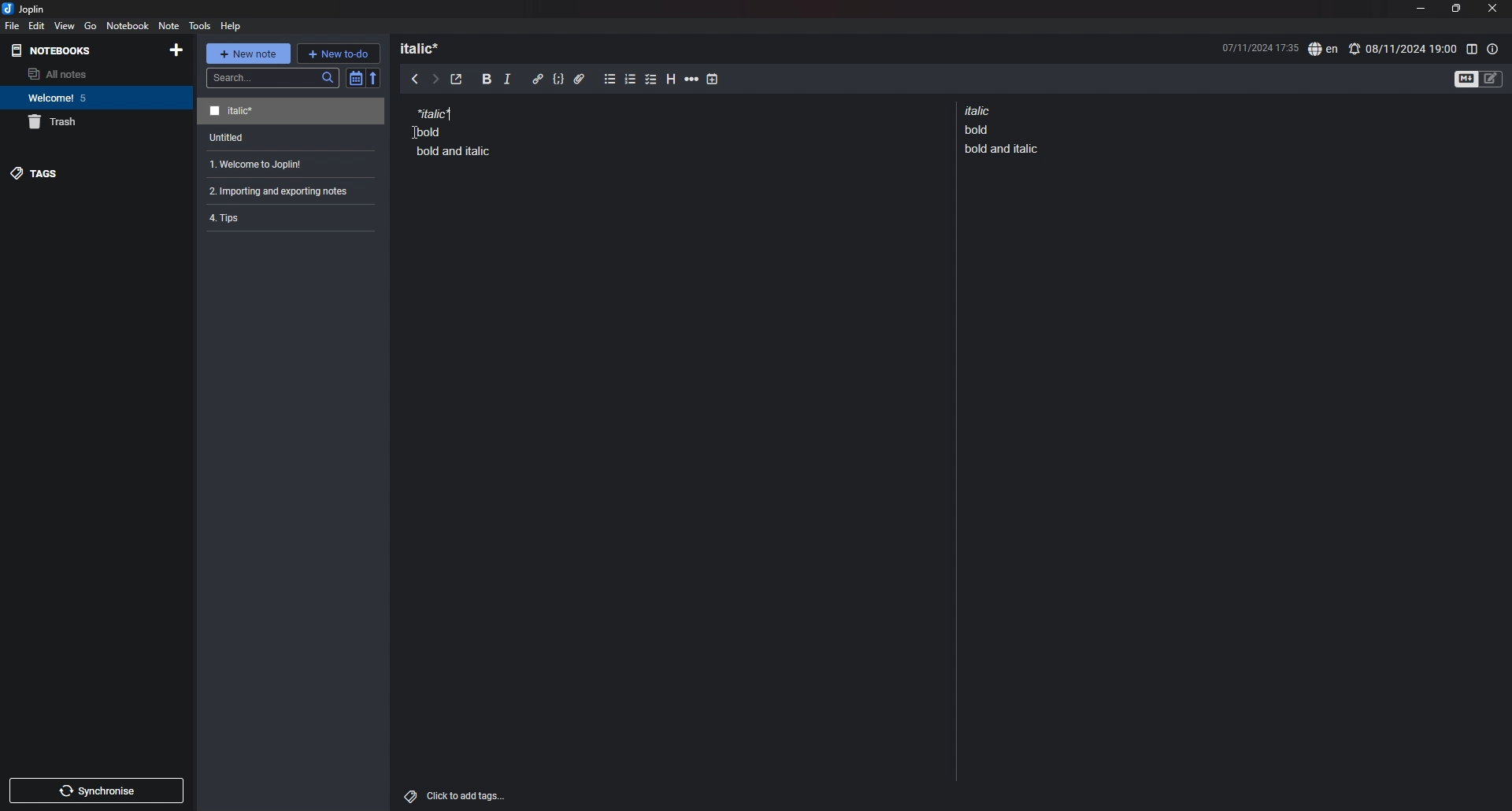  Describe the element at coordinates (374, 77) in the screenshot. I see `reverse sort order` at that location.